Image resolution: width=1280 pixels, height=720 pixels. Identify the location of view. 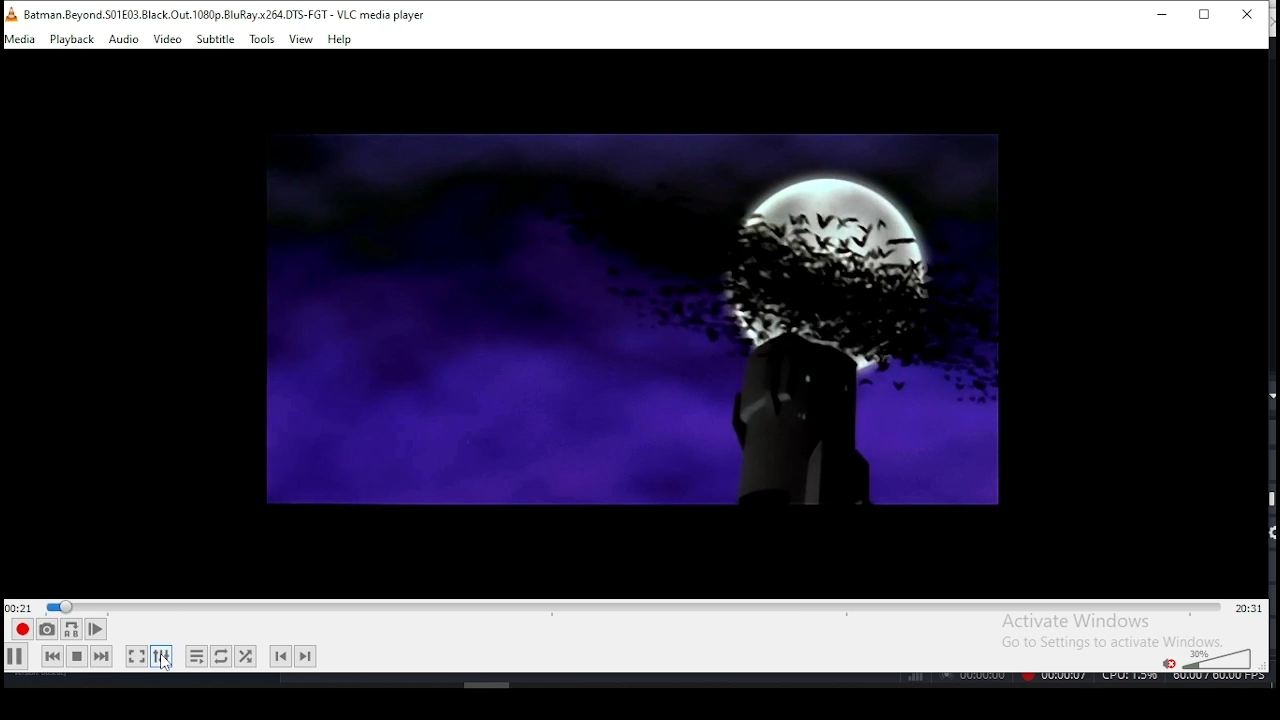
(302, 39).